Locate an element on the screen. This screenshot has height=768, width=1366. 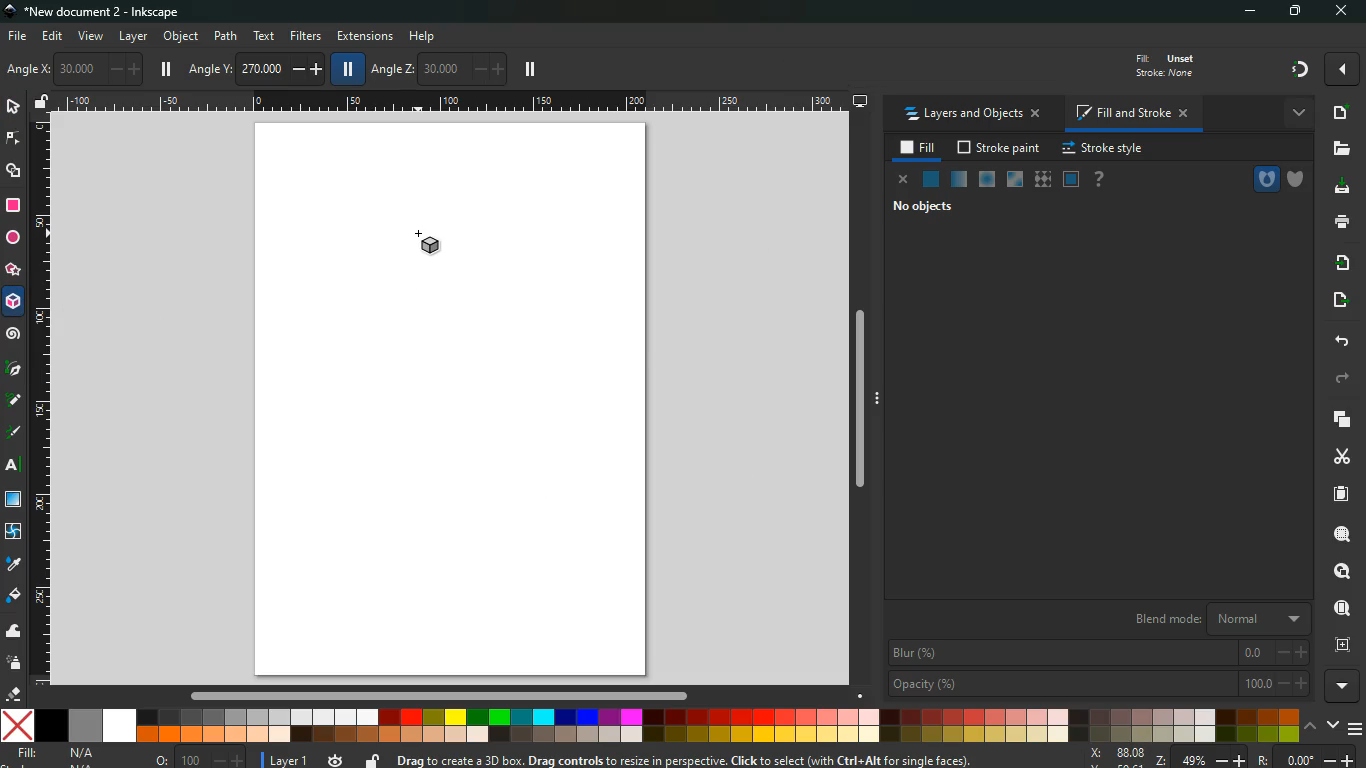
texture is located at coordinates (1042, 182).